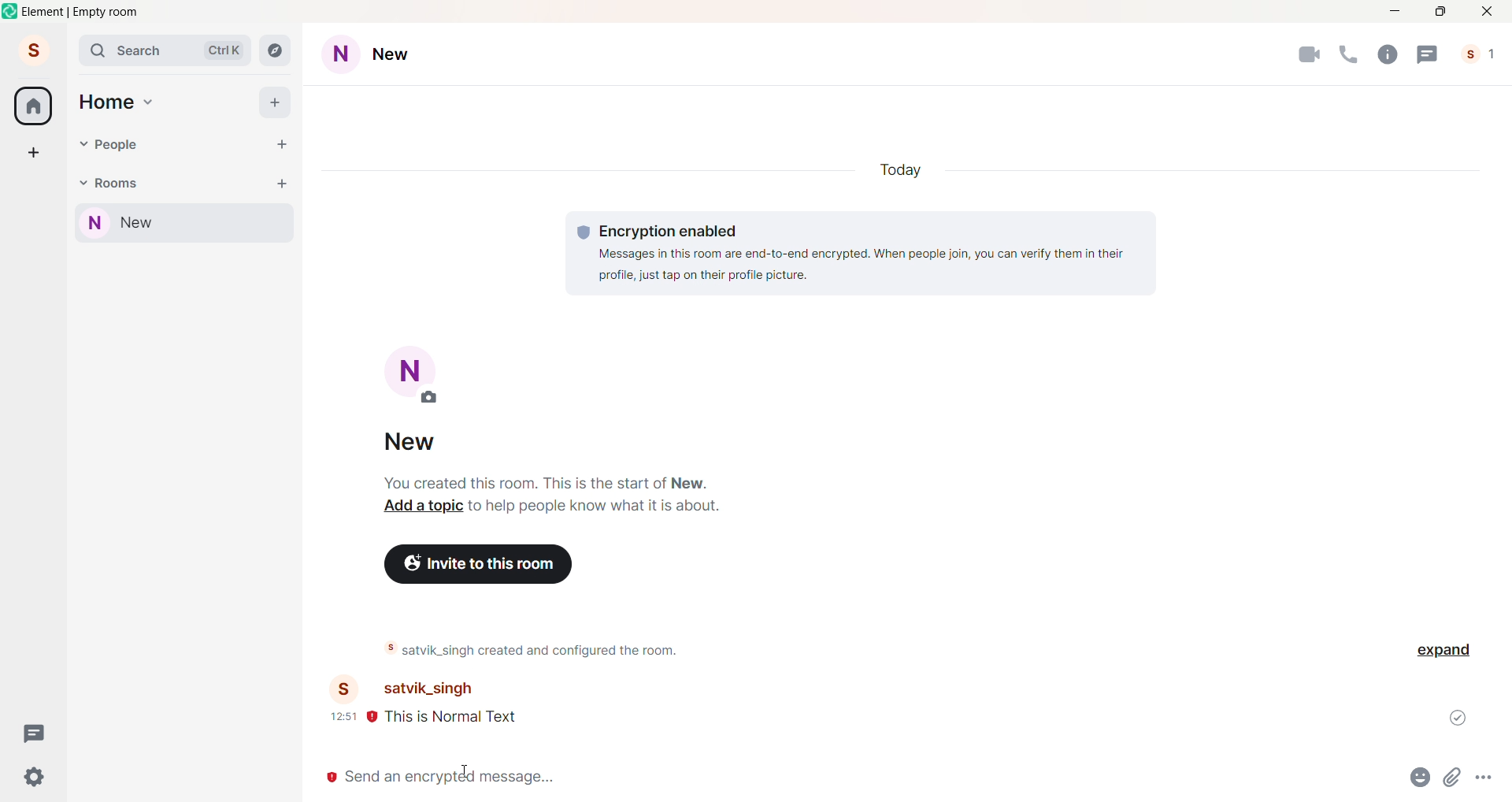 The width and height of the screenshot is (1512, 802). I want to click on Home, so click(33, 106).